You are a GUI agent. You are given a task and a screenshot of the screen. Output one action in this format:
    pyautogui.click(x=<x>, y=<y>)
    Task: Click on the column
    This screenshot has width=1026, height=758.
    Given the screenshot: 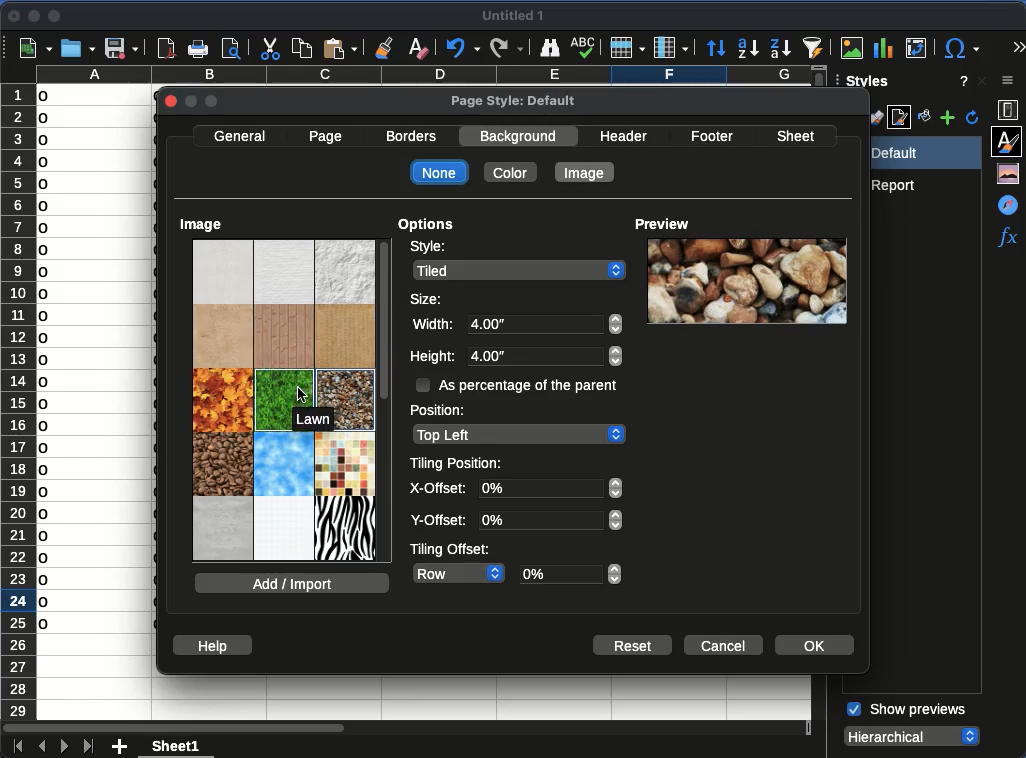 What is the action you would take?
    pyautogui.click(x=670, y=47)
    